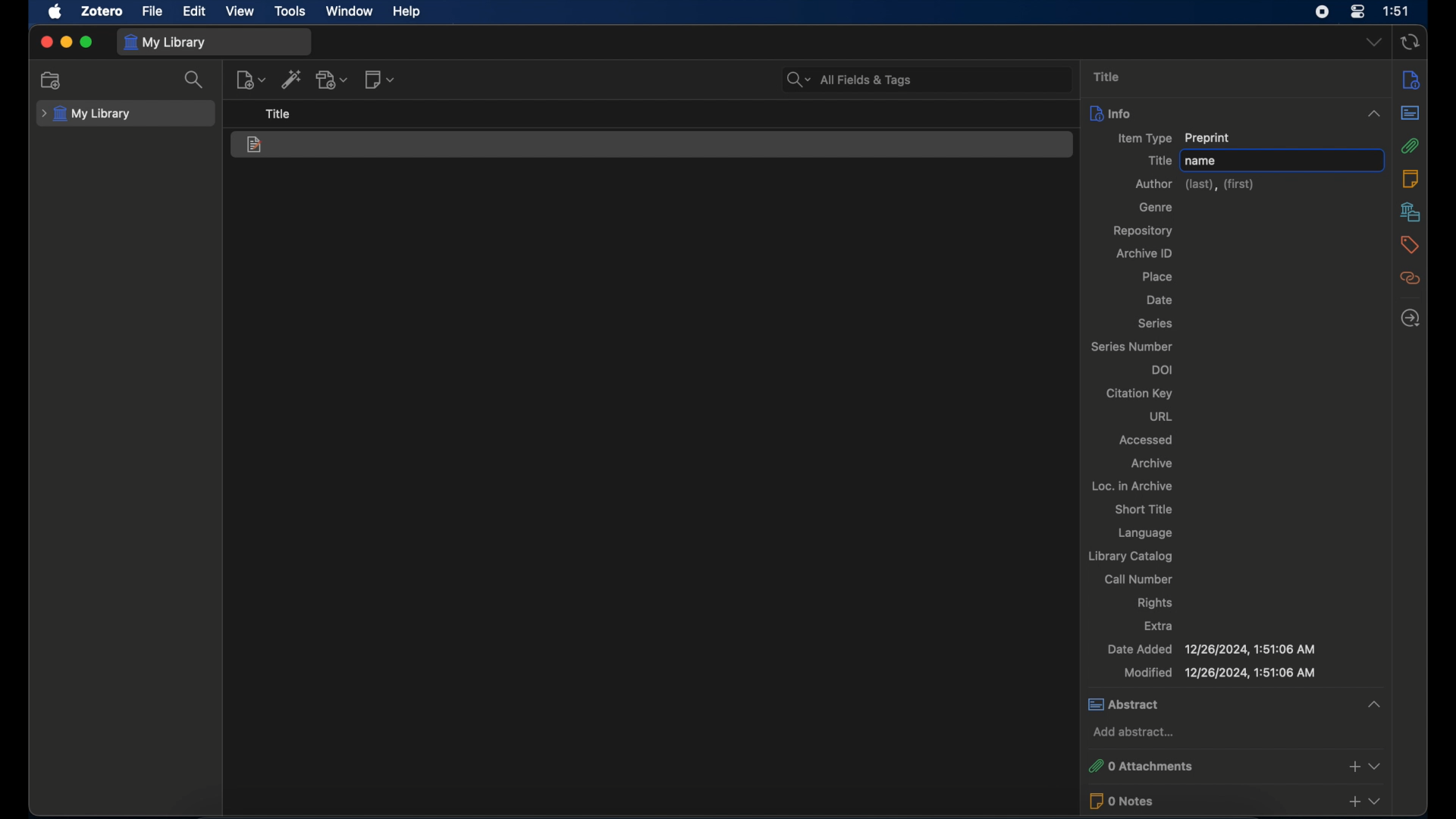 The width and height of the screenshot is (1456, 819). What do you see at coordinates (1141, 394) in the screenshot?
I see `citation key` at bounding box center [1141, 394].